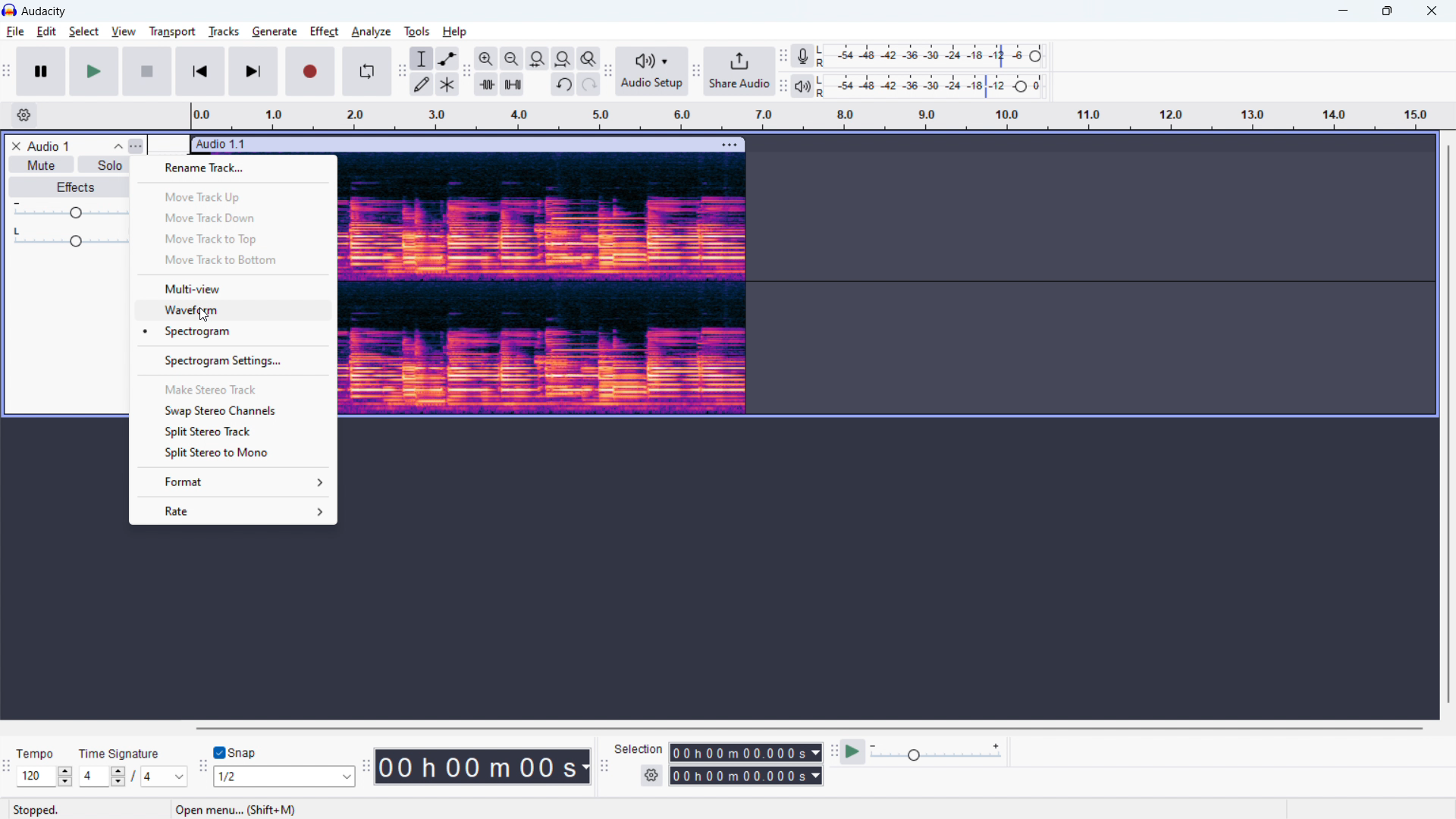 The height and width of the screenshot is (819, 1456). What do you see at coordinates (231, 482) in the screenshot?
I see `format` at bounding box center [231, 482].